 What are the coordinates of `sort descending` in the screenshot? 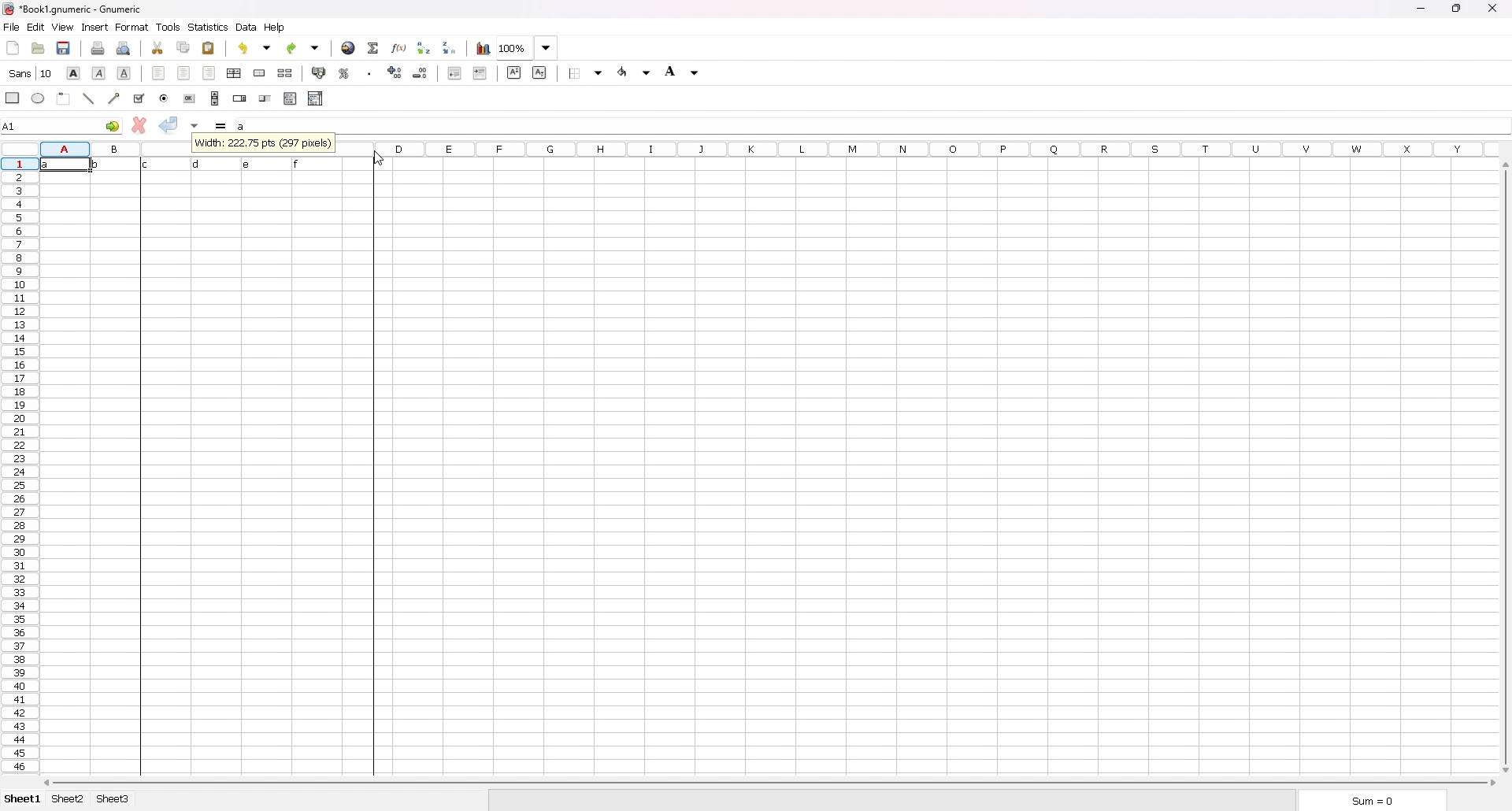 It's located at (450, 47).